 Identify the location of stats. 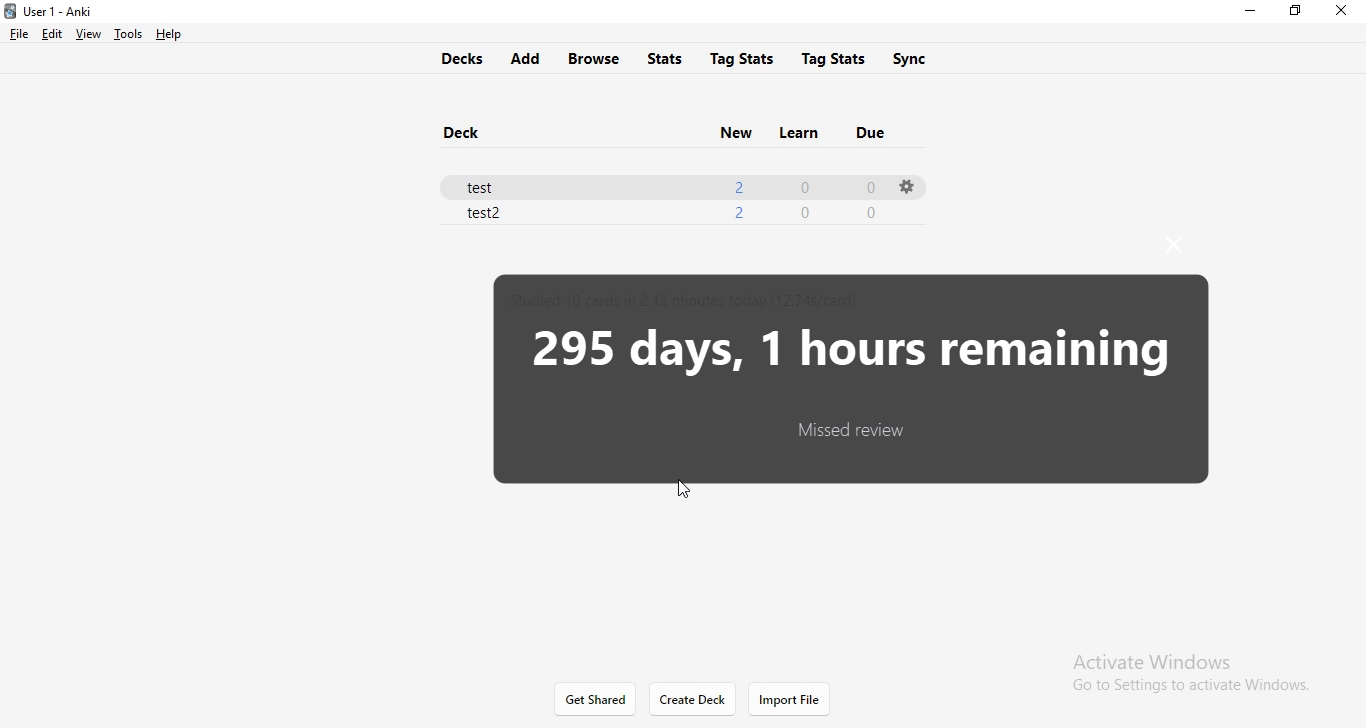
(669, 56).